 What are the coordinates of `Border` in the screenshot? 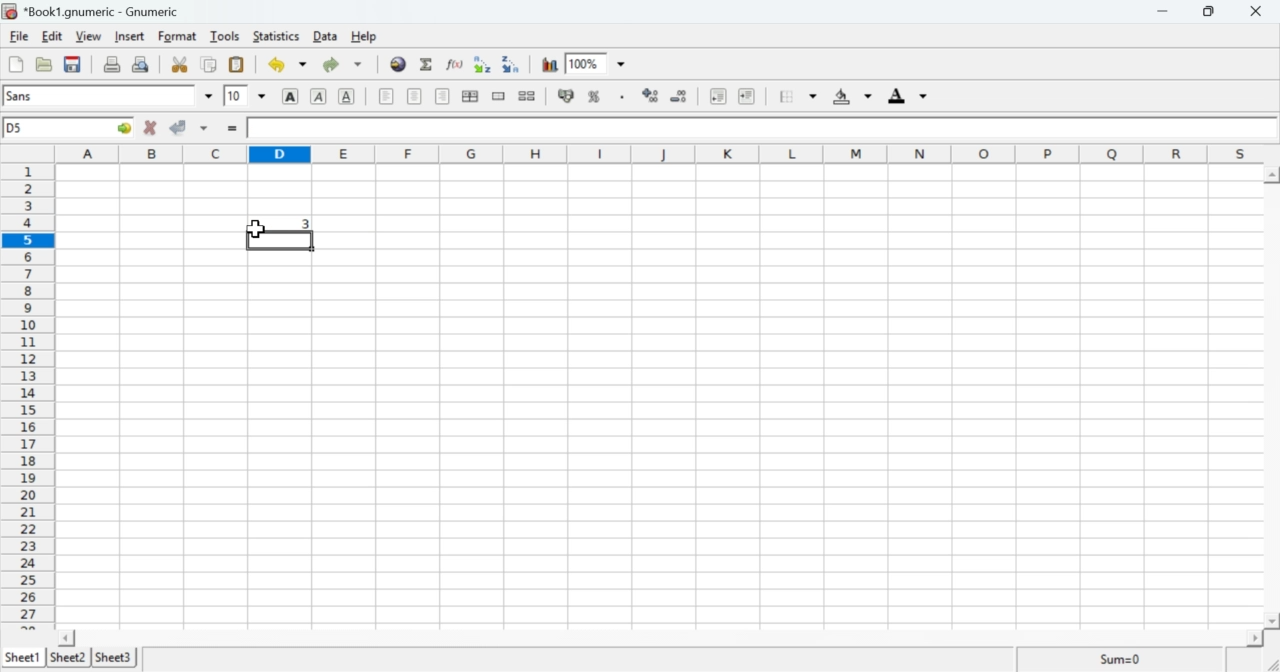 It's located at (799, 97).